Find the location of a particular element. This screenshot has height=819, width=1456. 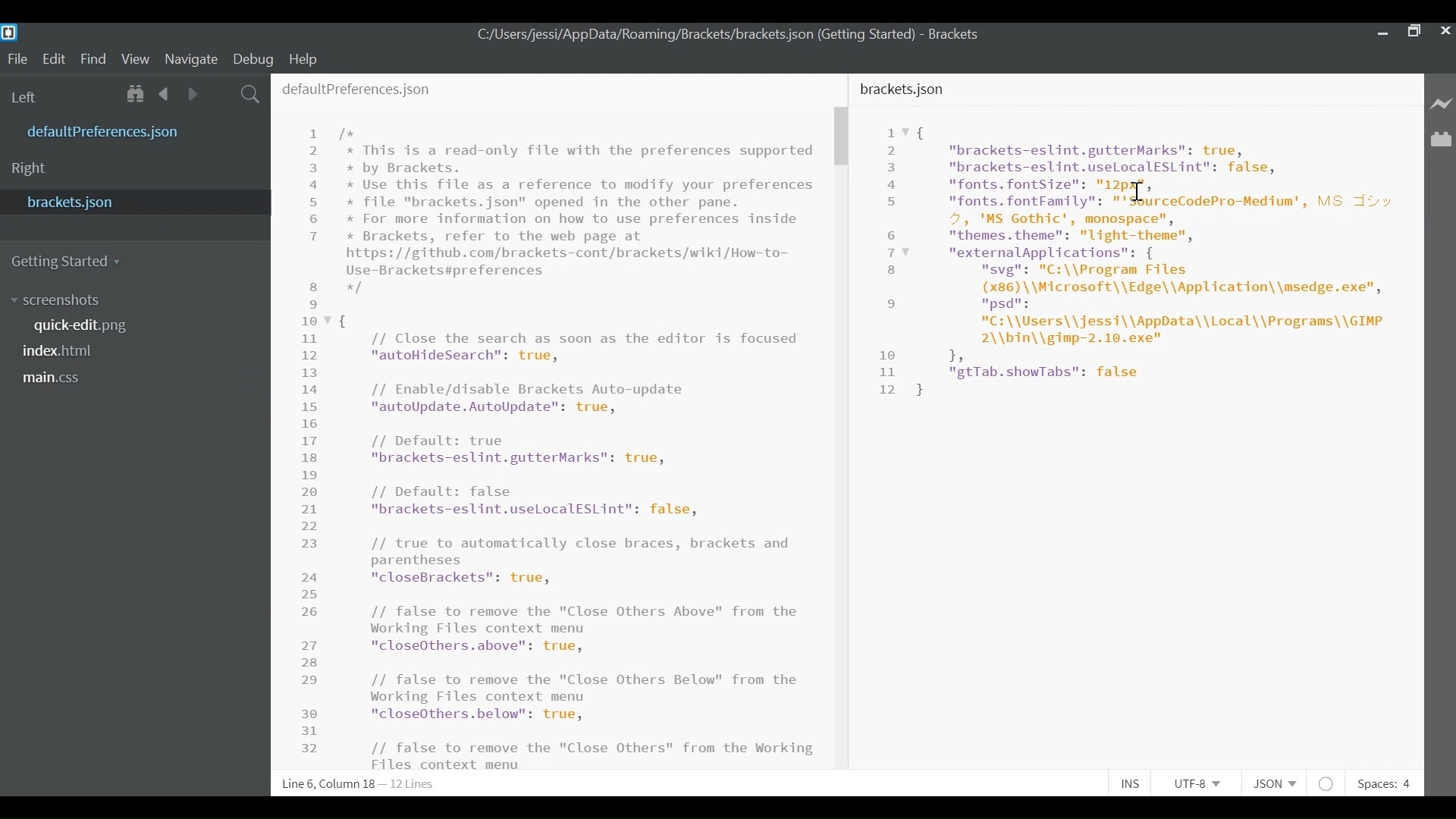

Right is located at coordinates (30, 168).